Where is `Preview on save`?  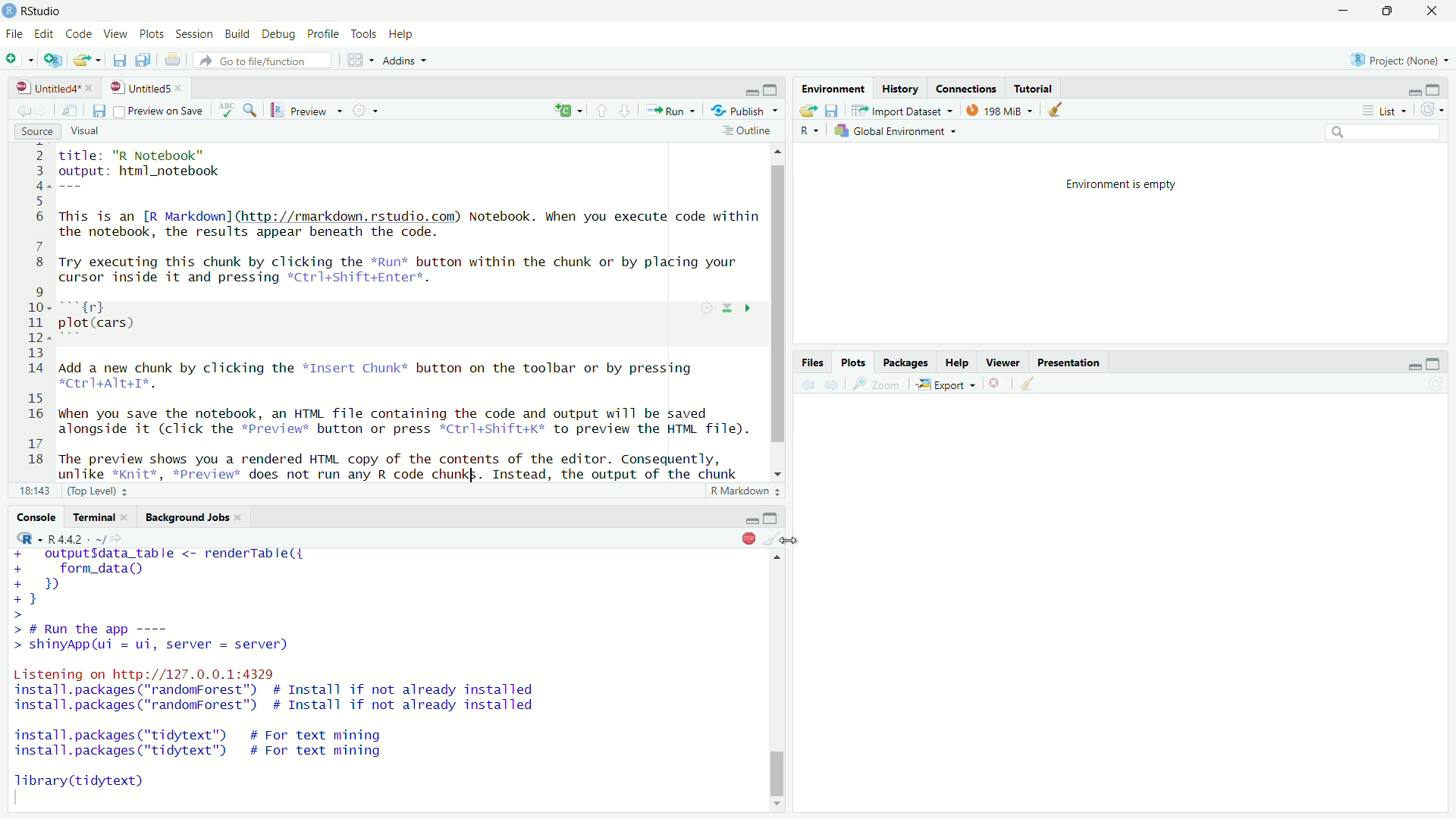 Preview on save is located at coordinates (158, 111).